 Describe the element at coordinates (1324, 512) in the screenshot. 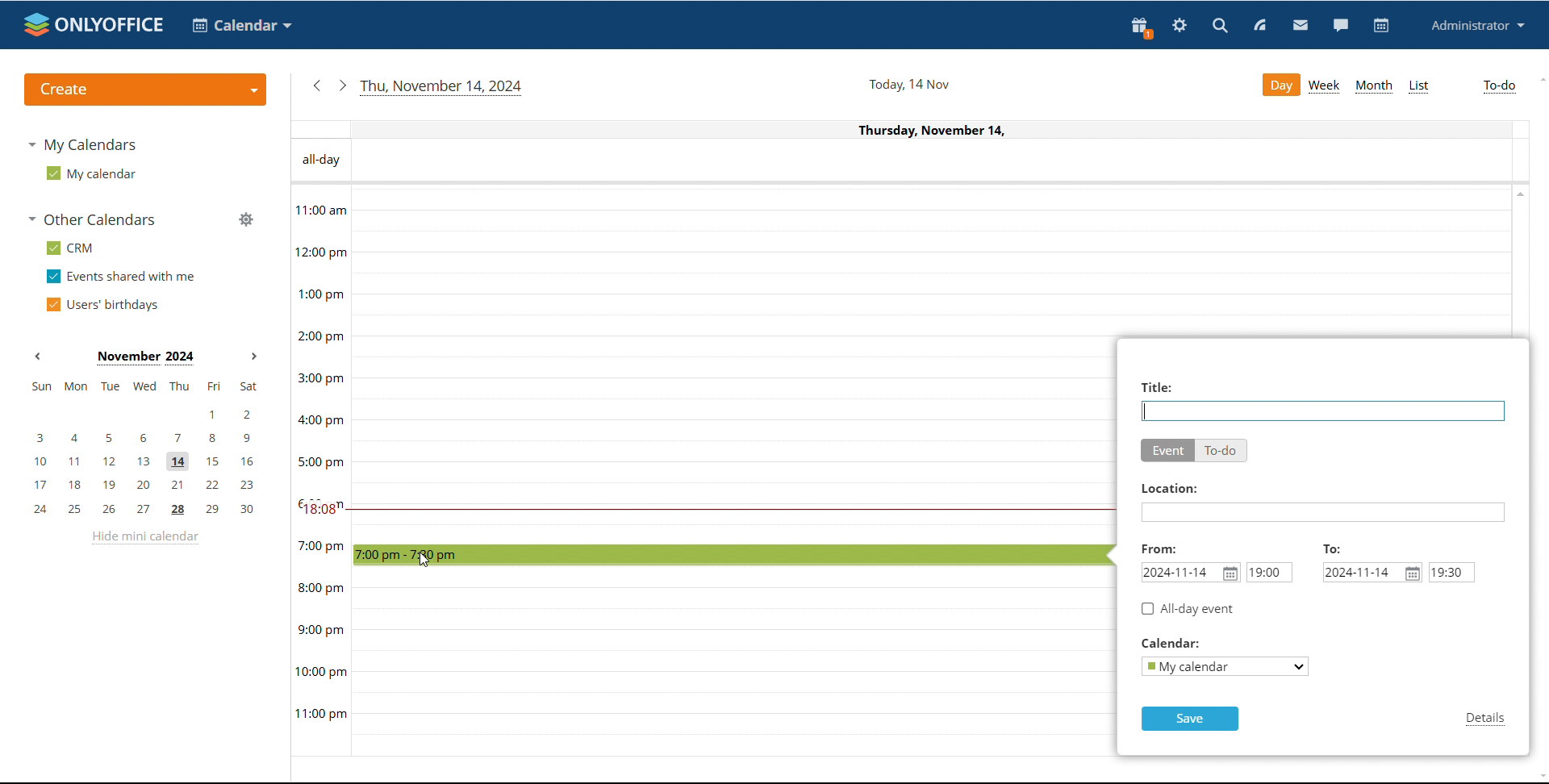

I see `add location` at that location.